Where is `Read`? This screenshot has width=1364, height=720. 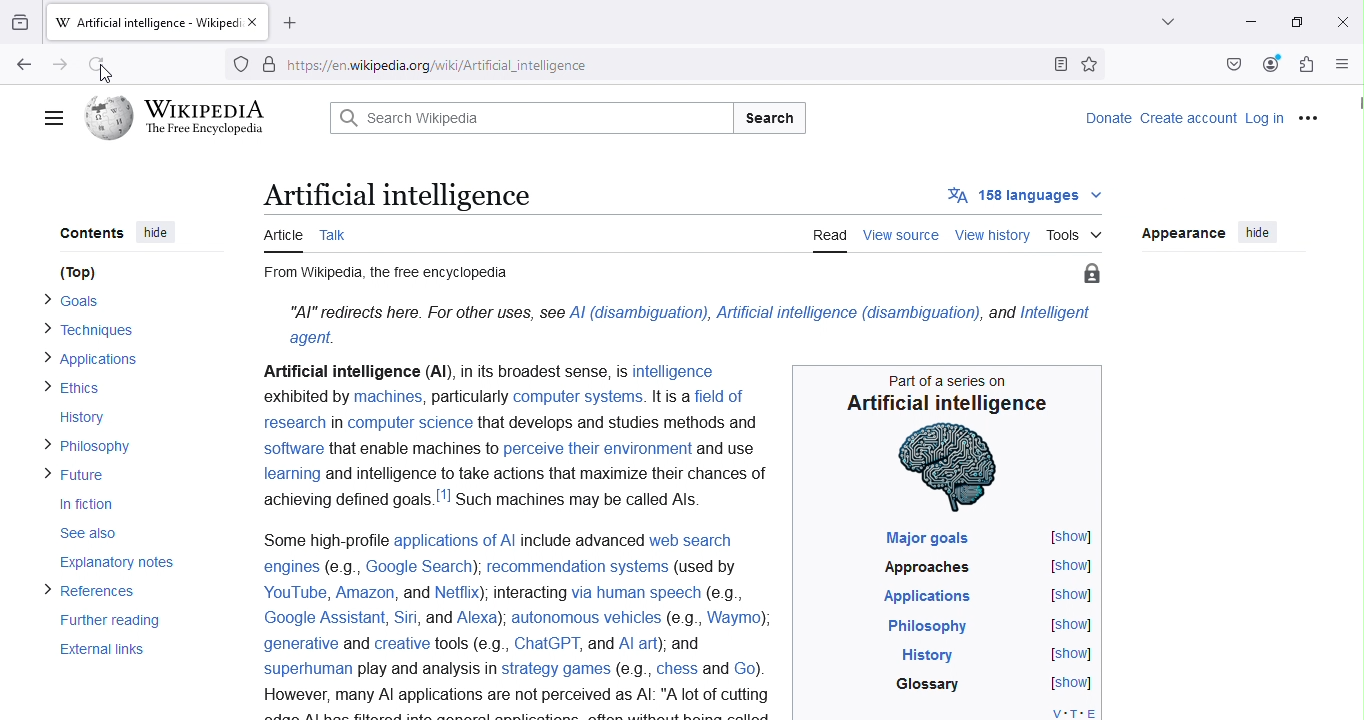 Read is located at coordinates (829, 235).